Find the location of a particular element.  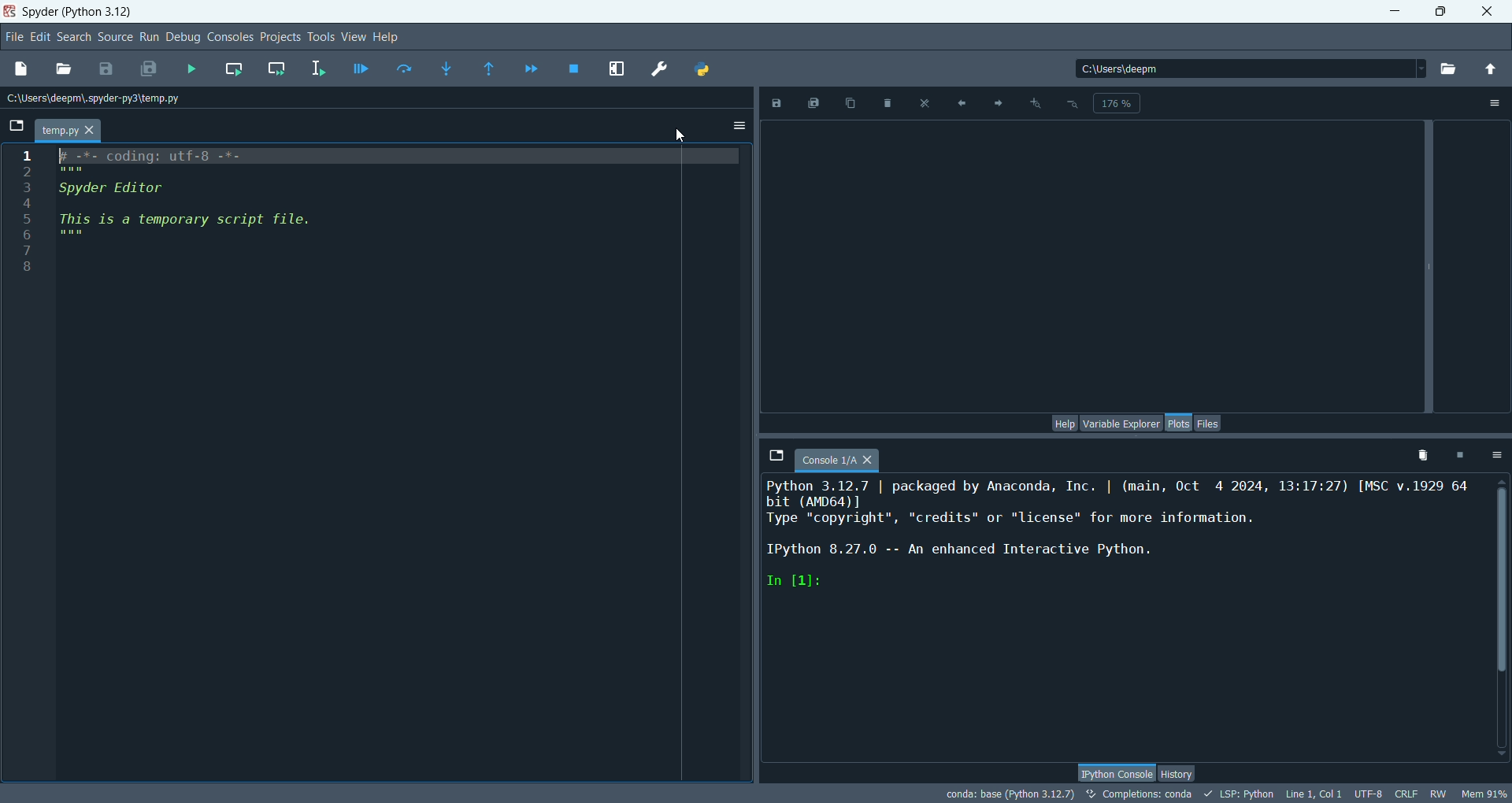

UTF is located at coordinates (1369, 795).